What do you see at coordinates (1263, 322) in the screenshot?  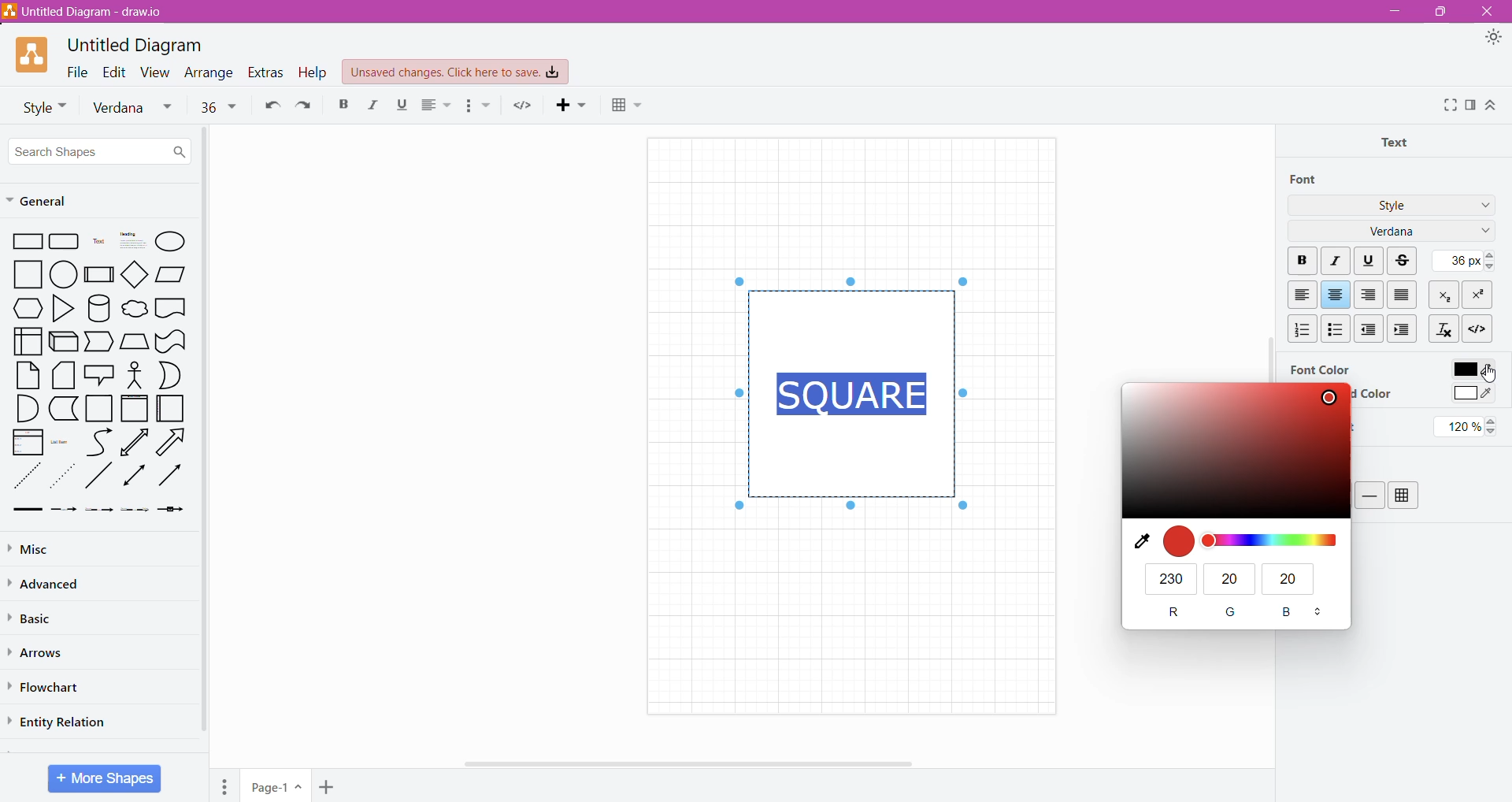 I see `Vertical Scroll Bar` at bounding box center [1263, 322].